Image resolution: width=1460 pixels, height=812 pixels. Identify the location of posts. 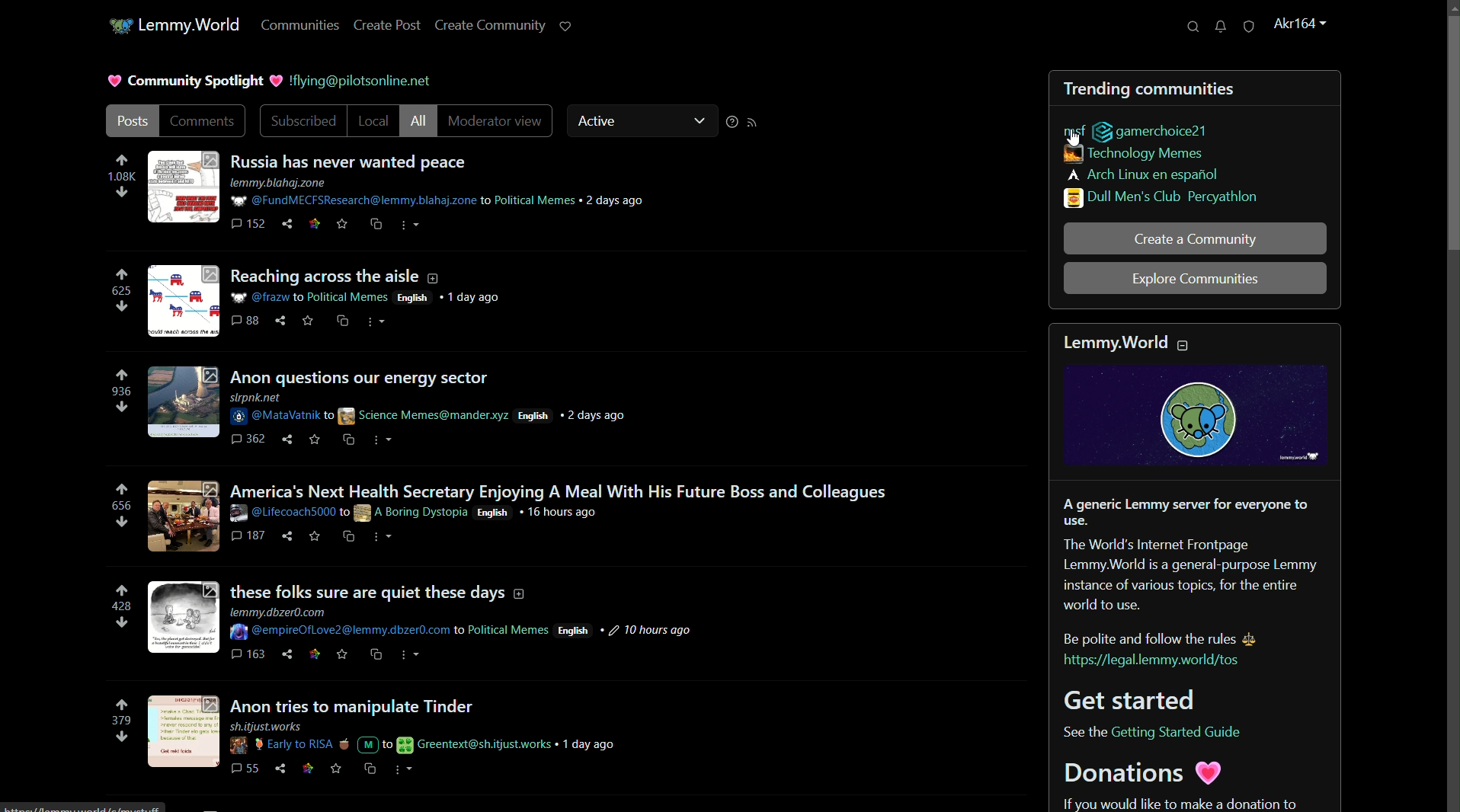
(131, 122).